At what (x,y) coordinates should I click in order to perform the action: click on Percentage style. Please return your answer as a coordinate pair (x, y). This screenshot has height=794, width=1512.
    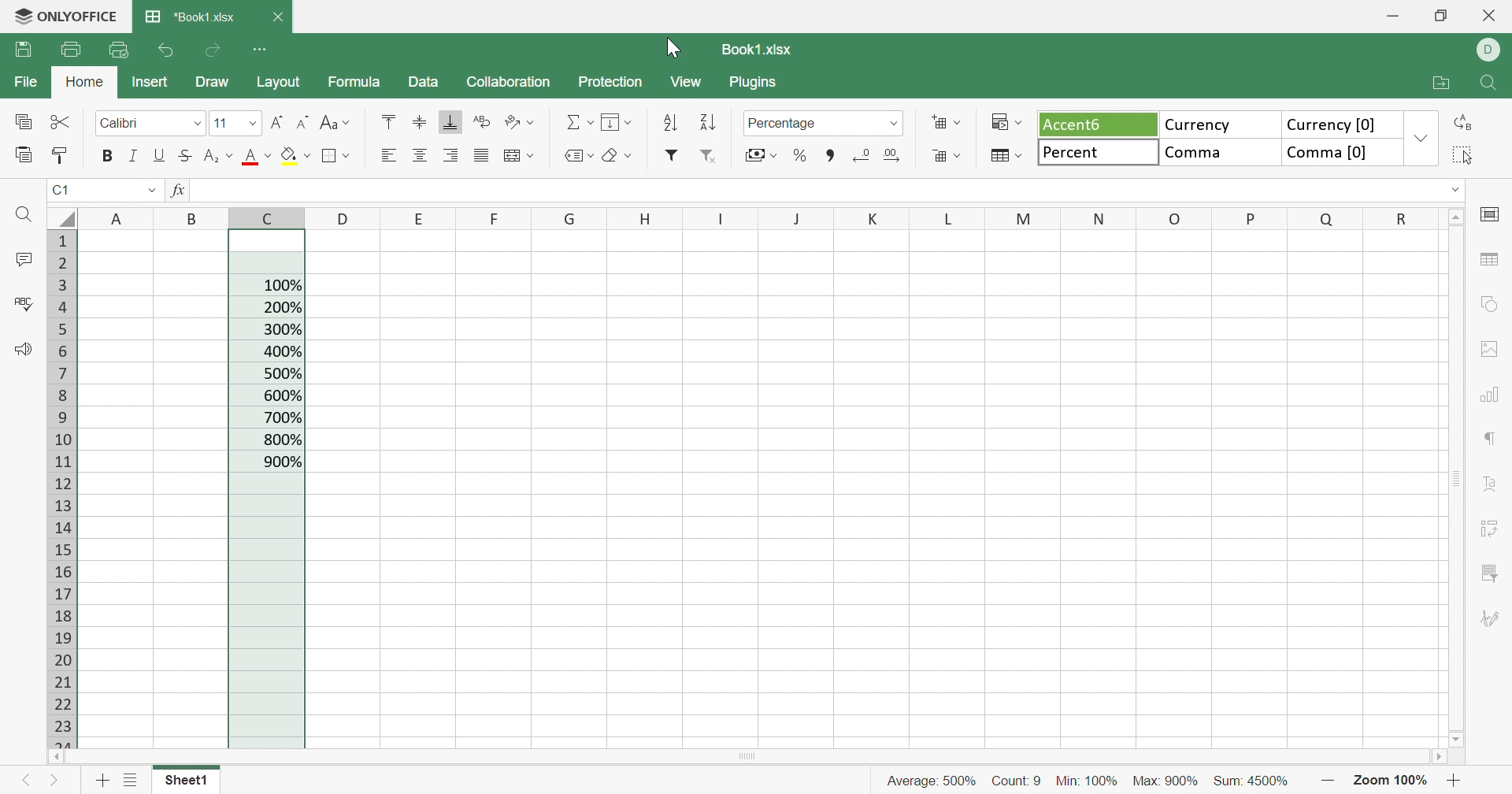
    Looking at the image, I should click on (798, 155).